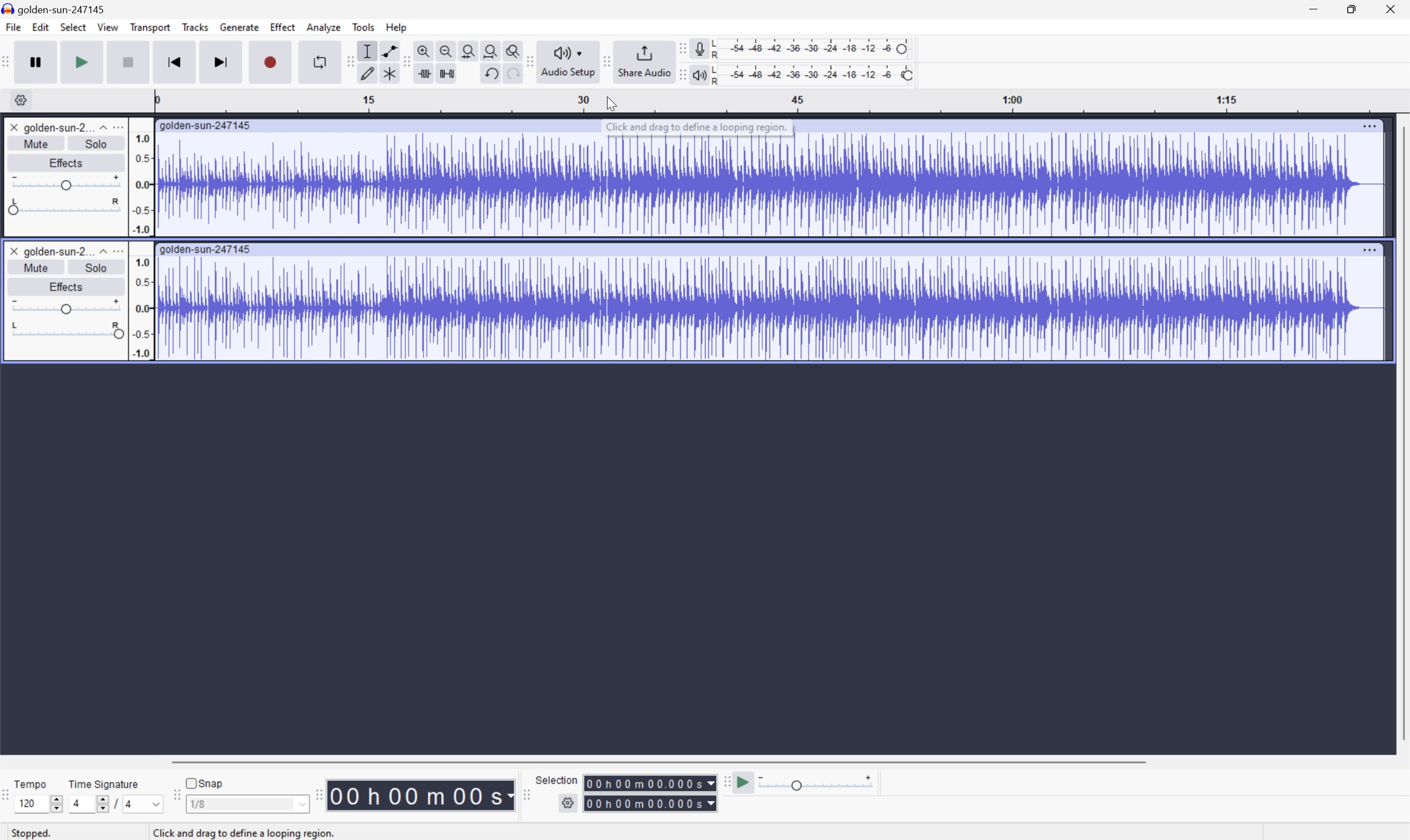 Image resolution: width=1410 pixels, height=840 pixels. Describe the element at coordinates (32, 783) in the screenshot. I see `Tempo` at that location.